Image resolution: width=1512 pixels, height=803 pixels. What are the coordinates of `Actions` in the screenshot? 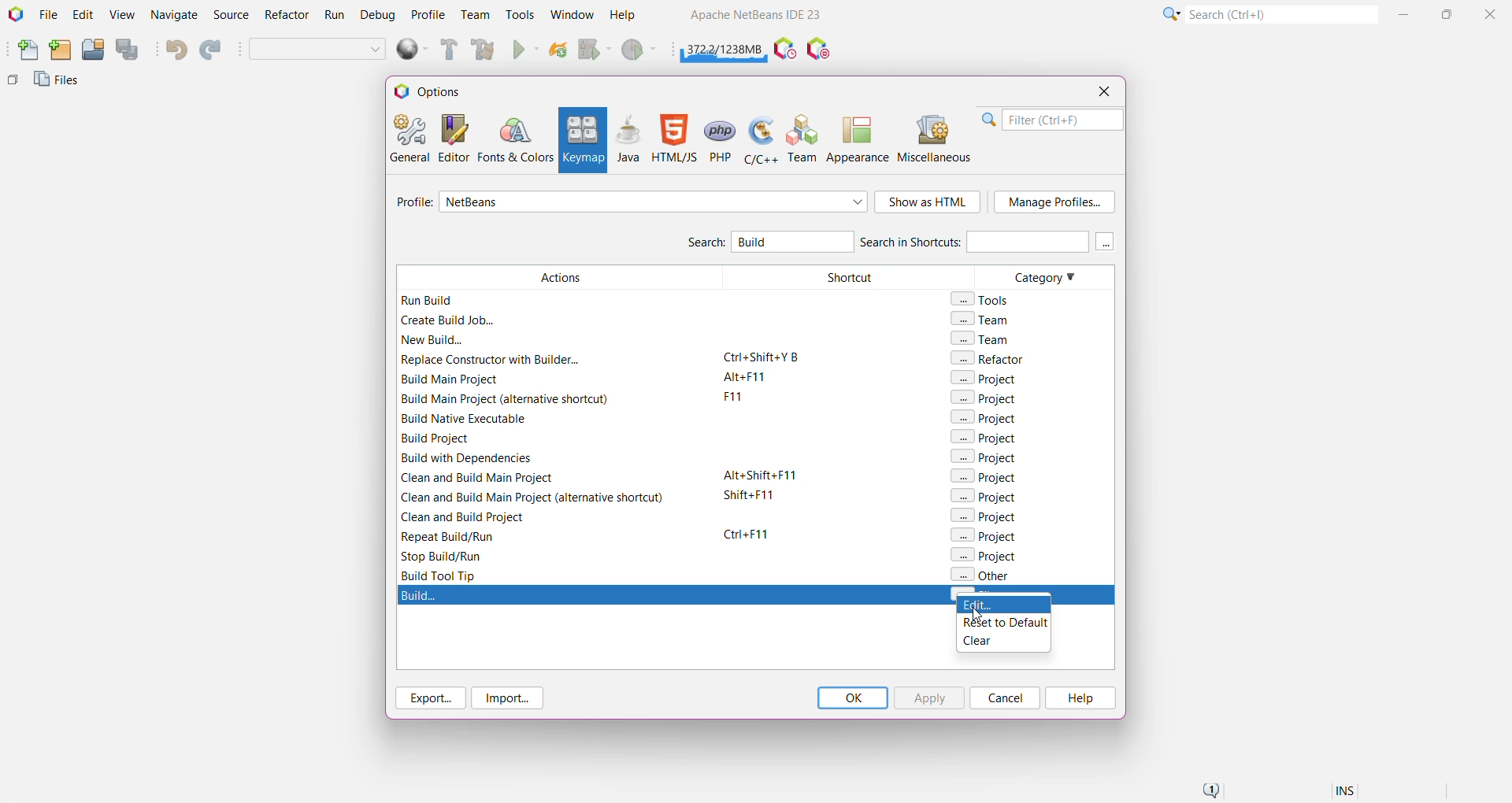 It's located at (554, 424).